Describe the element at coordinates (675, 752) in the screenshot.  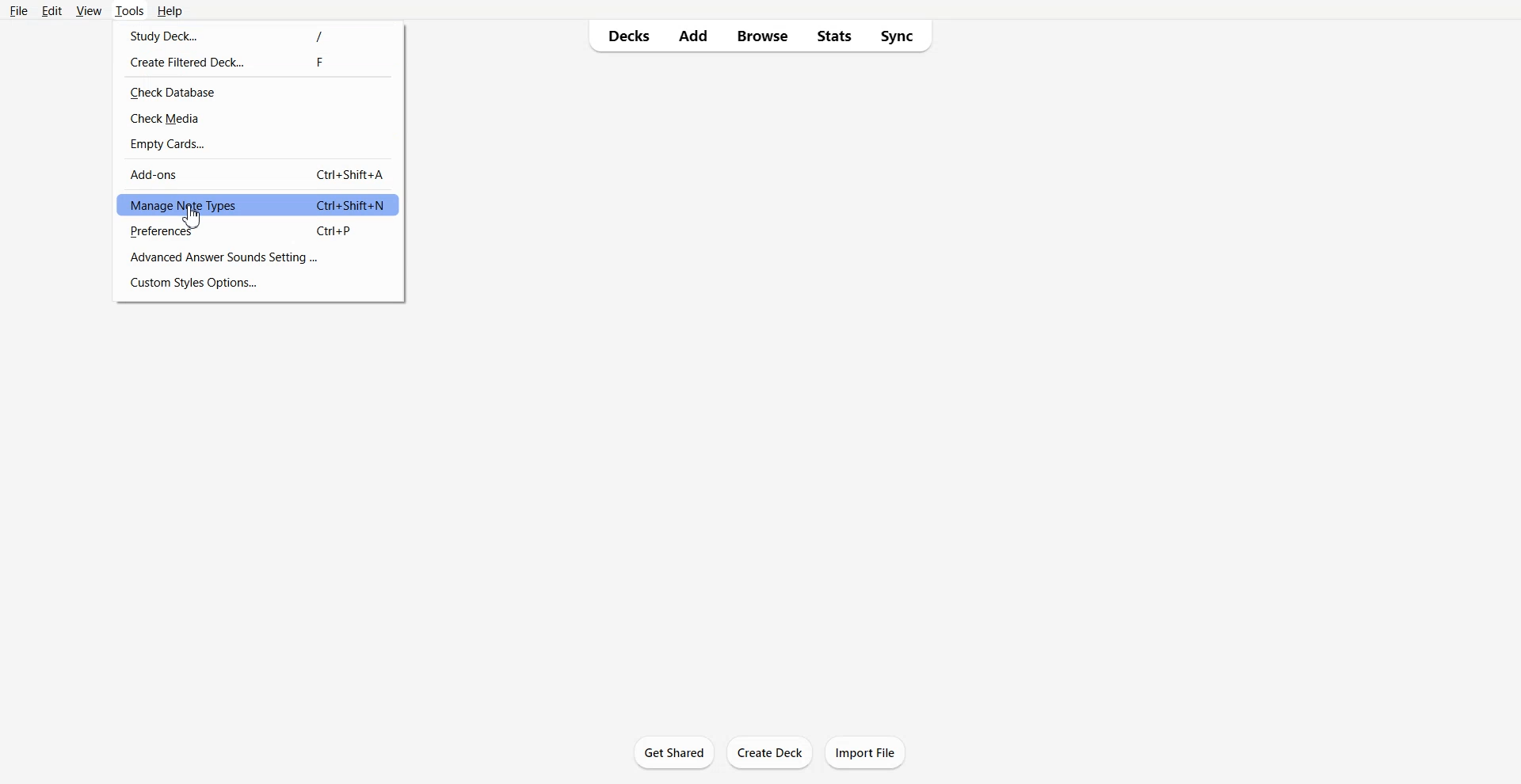
I see `Get Started` at that location.